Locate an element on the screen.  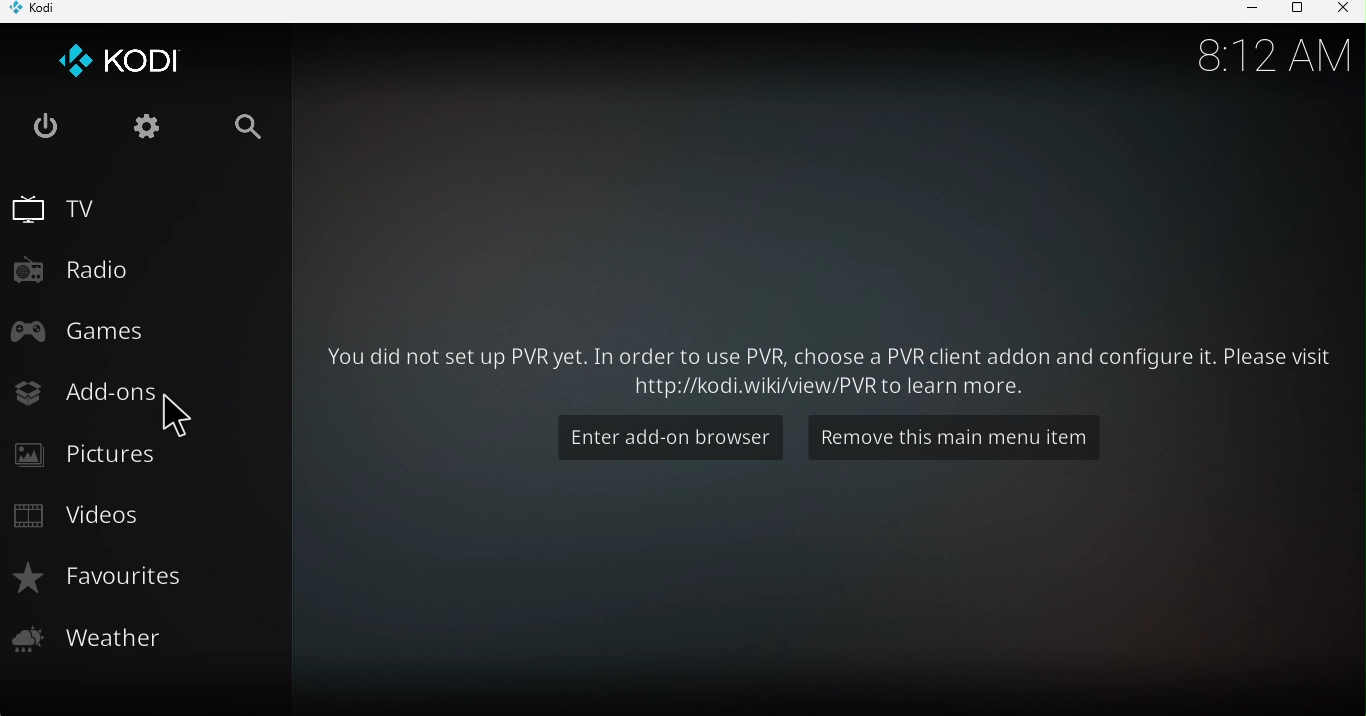
Radio is located at coordinates (87, 266).